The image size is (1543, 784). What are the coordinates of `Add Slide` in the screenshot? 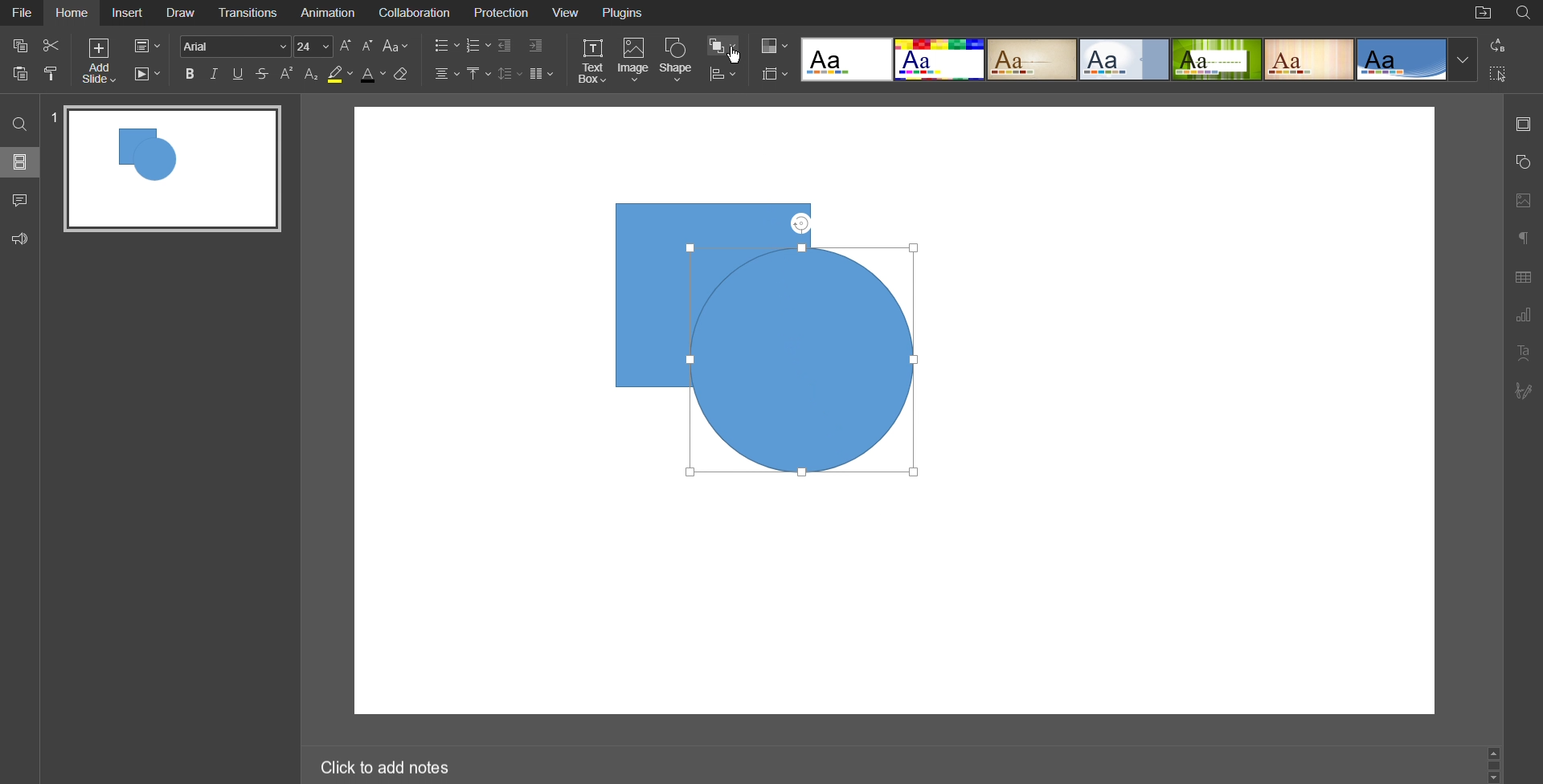 It's located at (99, 60).